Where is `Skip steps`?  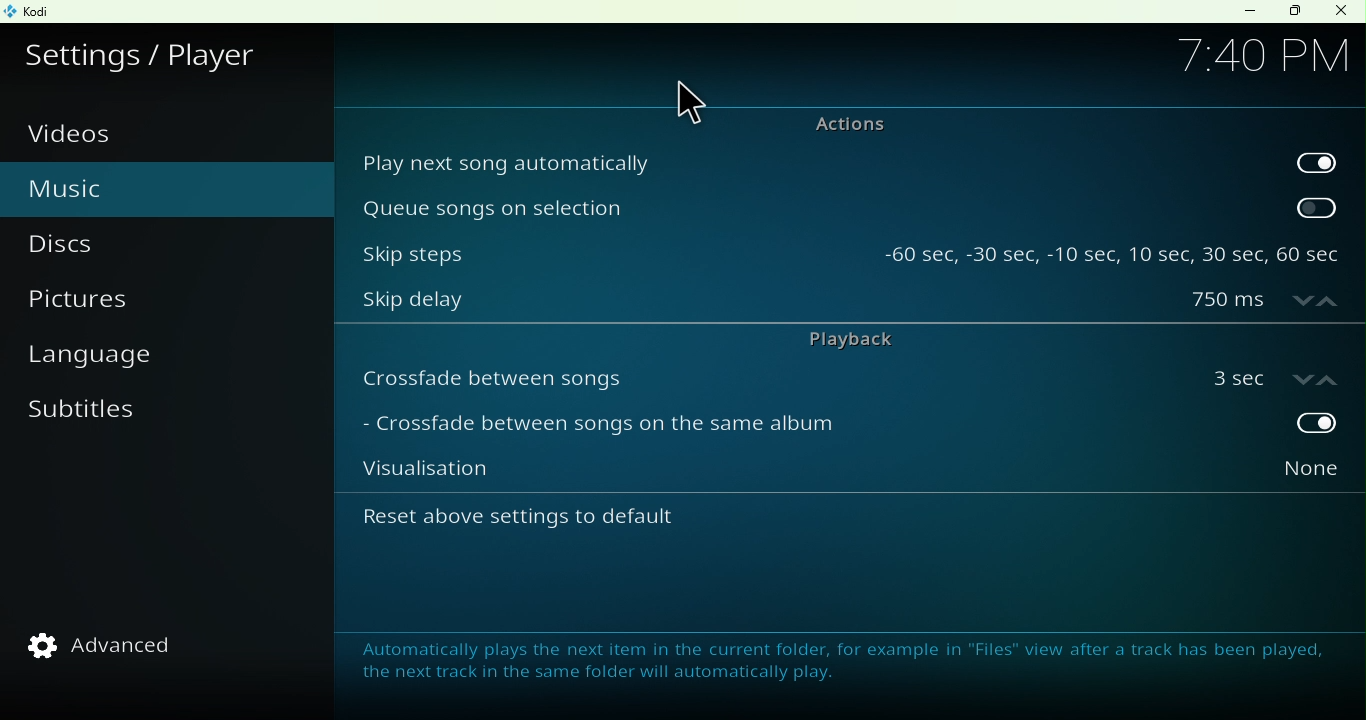
Skip steps is located at coordinates (606, 248).